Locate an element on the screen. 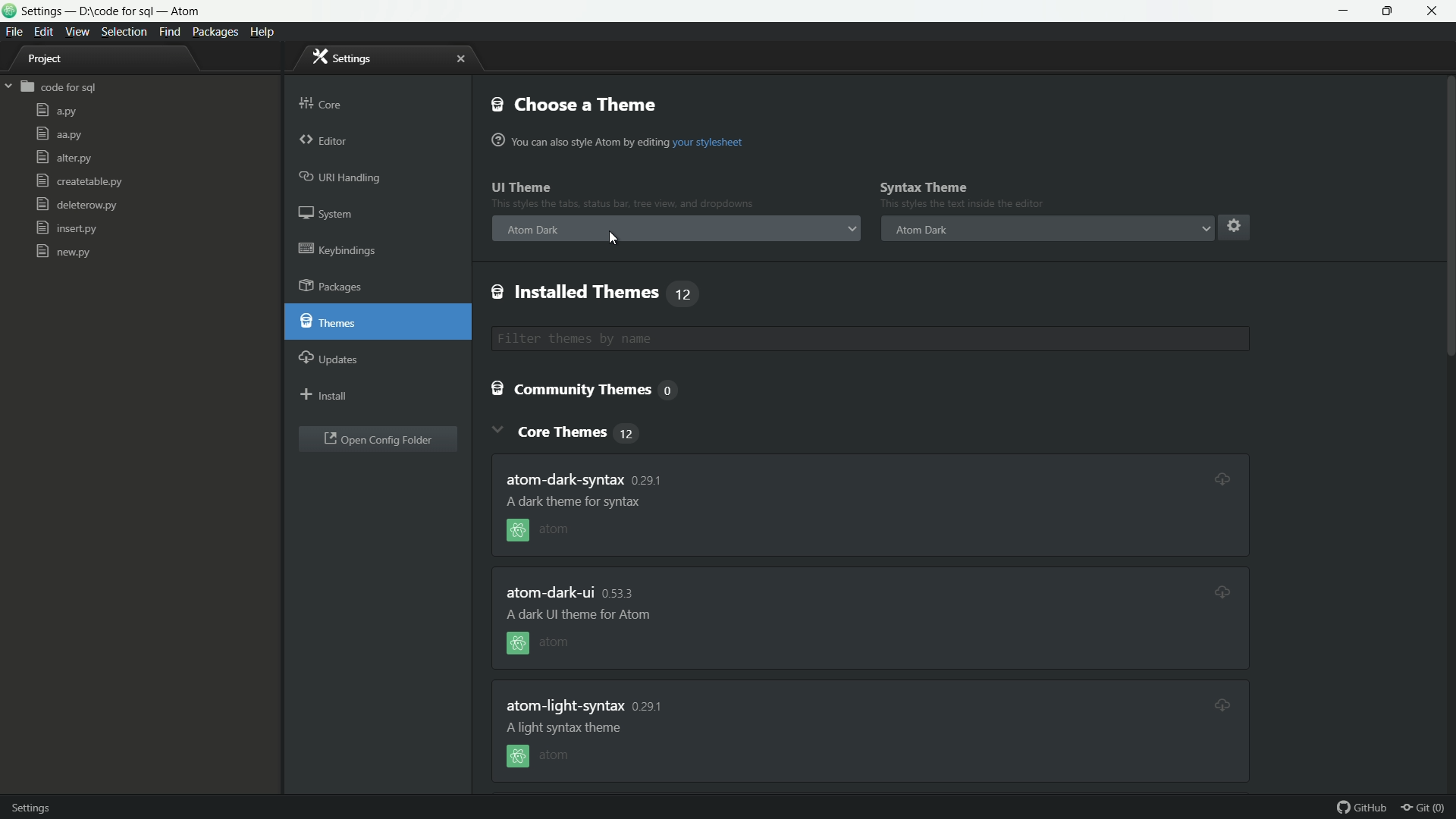 This screenshot has width=1456, height=819. file menu is located at coordinates (13, 32).